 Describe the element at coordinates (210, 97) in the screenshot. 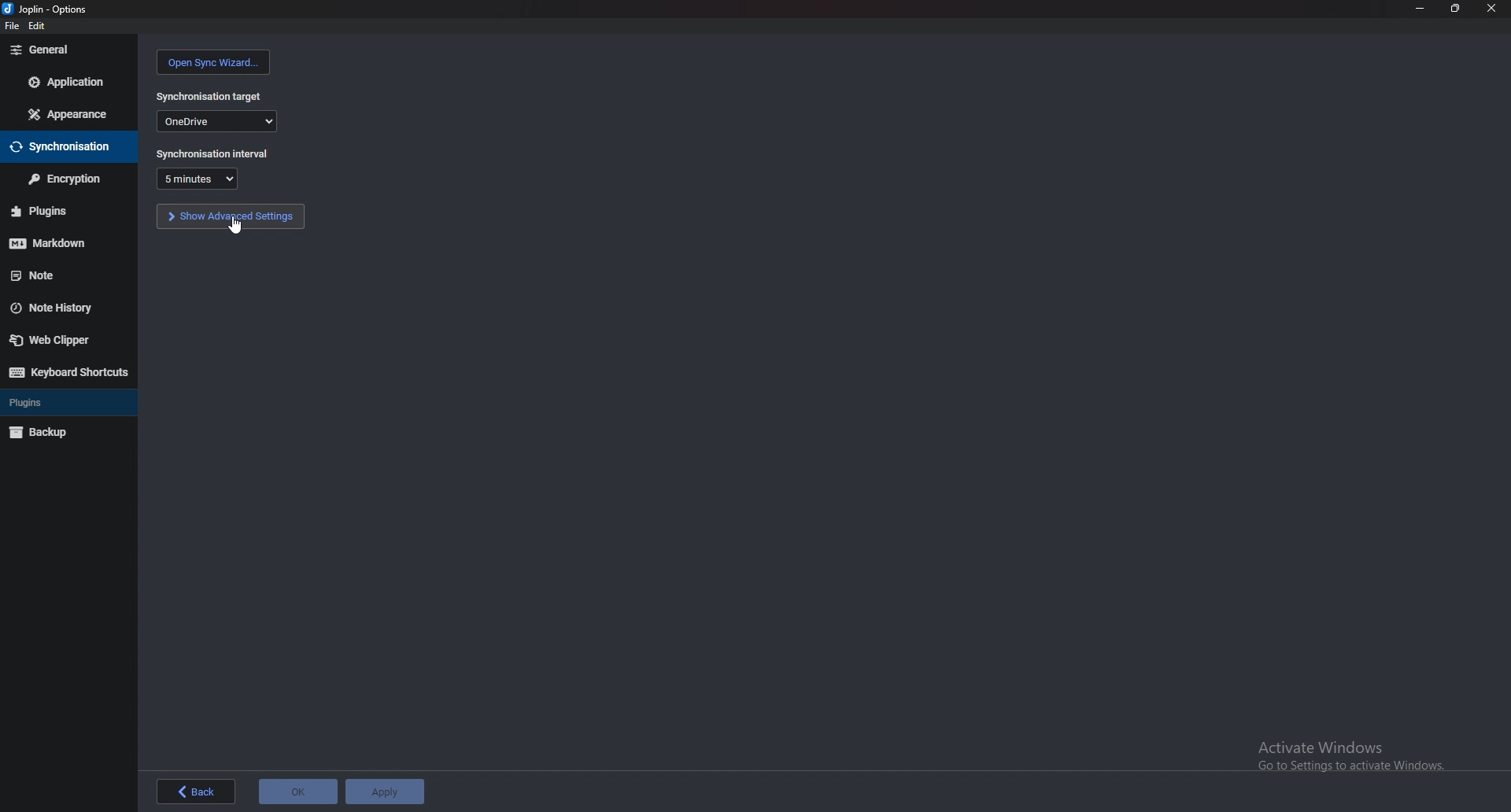

I see `sync target` at that location.